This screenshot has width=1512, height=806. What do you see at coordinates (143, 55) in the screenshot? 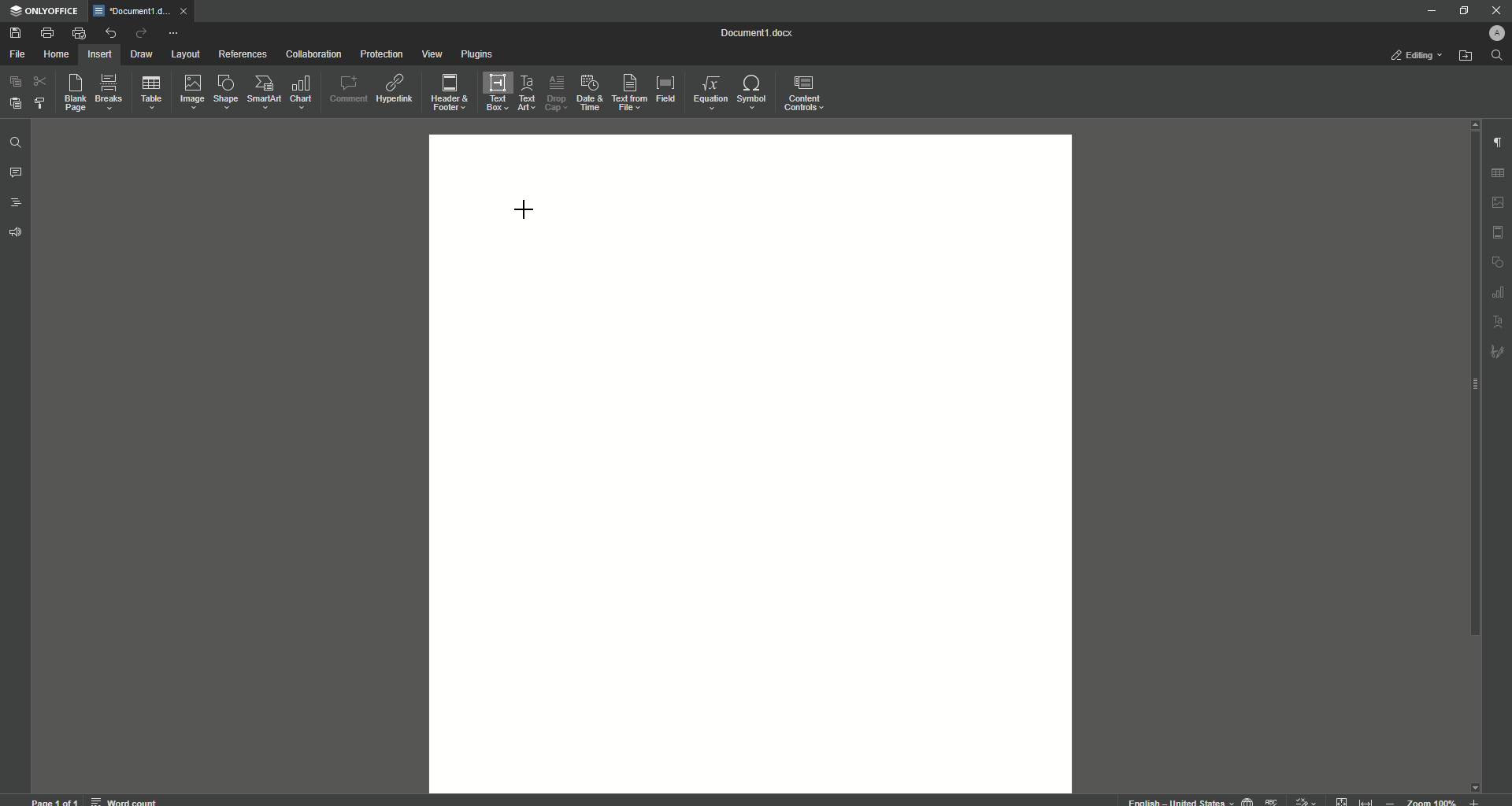
I see `Draw` at bounding box center [143, 55].